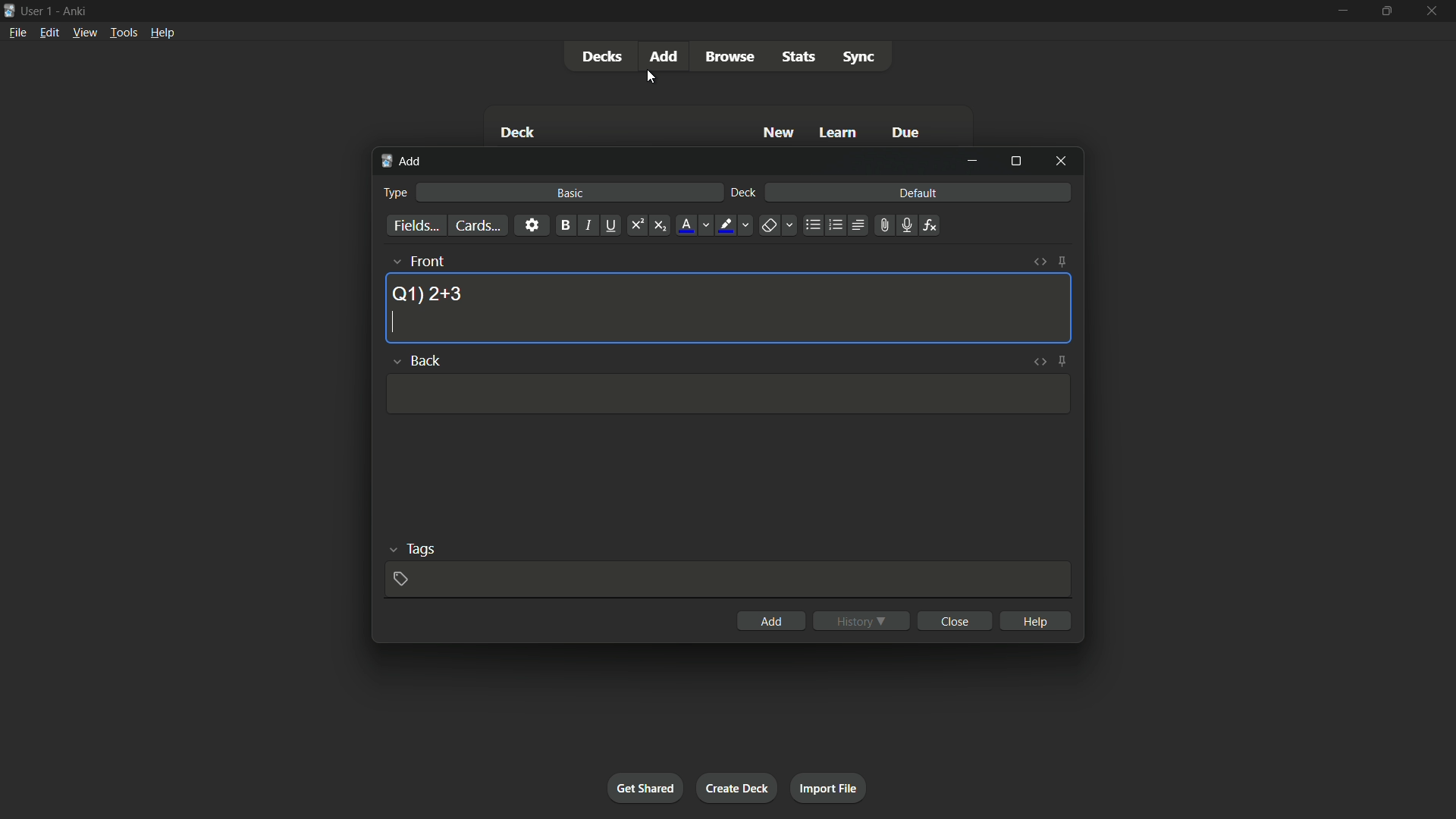  What do you see at coordinates (930, 225) in the screenshot?
I see `equations` at bounding box center [930, 225].